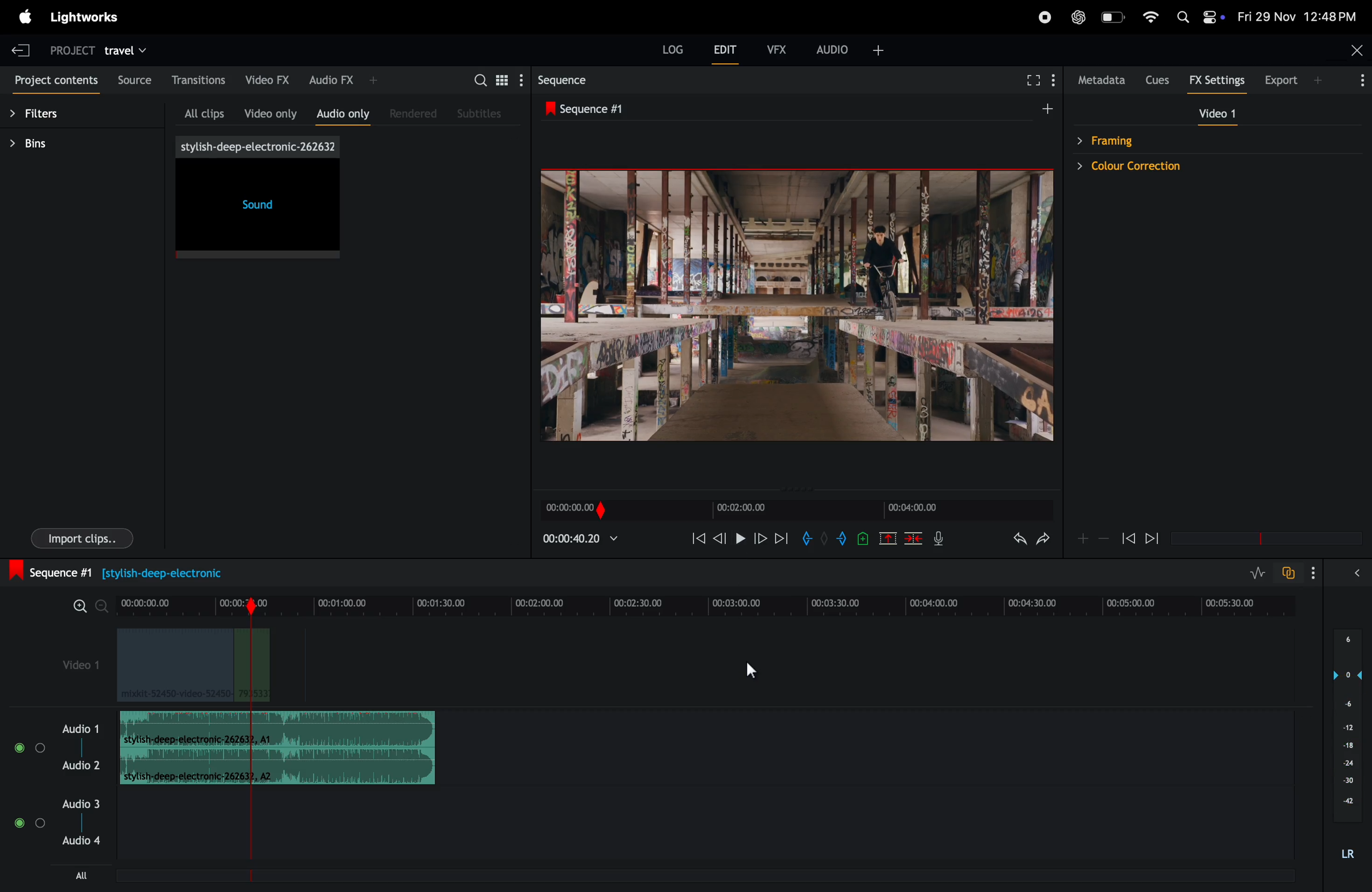 This screenshot has height=892, width=1372. What do you see at coordinates (1044, 542) in the screenshot?
I see `redo` at bounding box center [1044, 542].